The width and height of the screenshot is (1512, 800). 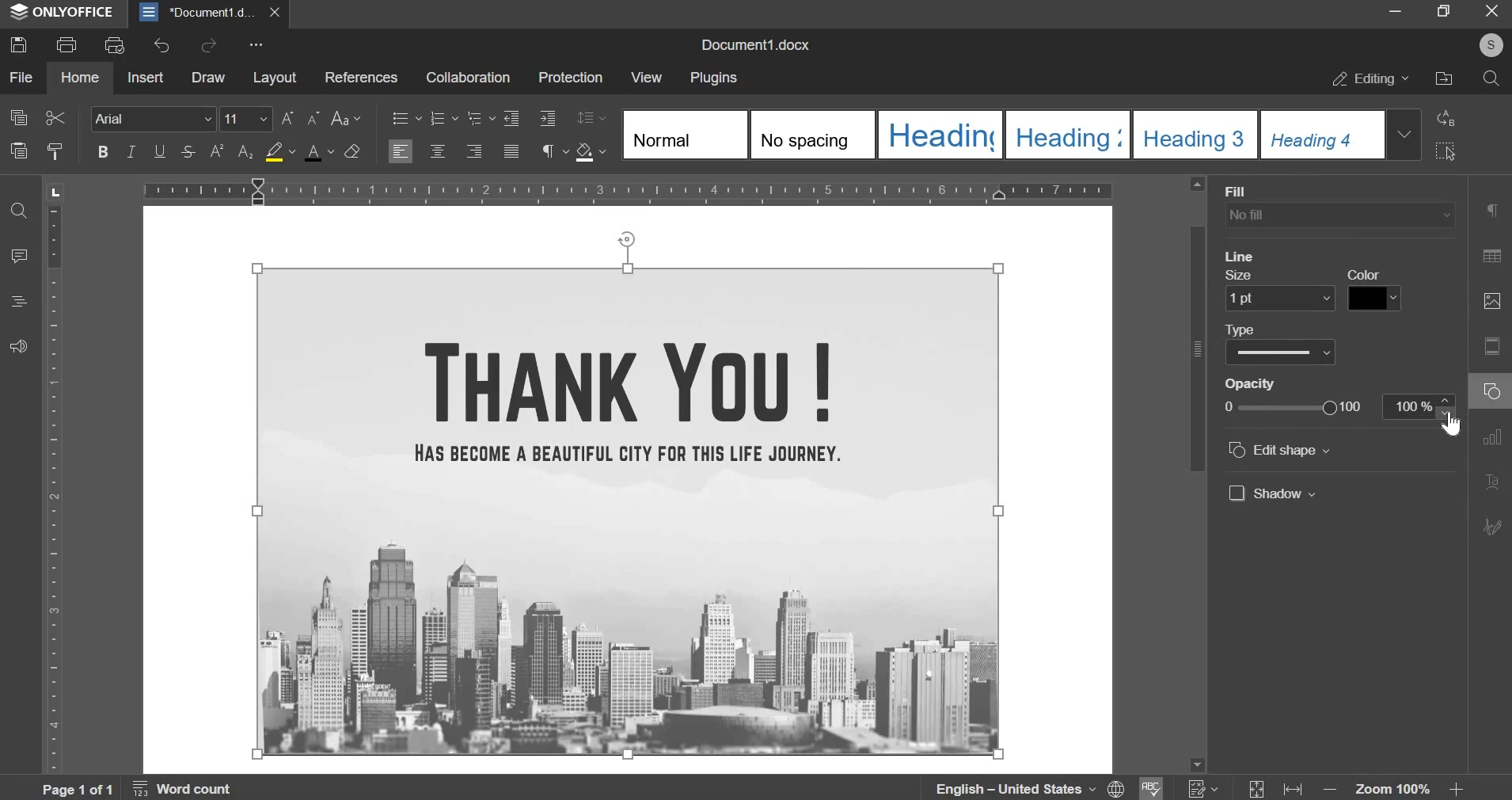 I want to click on Heading 4, so click(x=1320, y=135).